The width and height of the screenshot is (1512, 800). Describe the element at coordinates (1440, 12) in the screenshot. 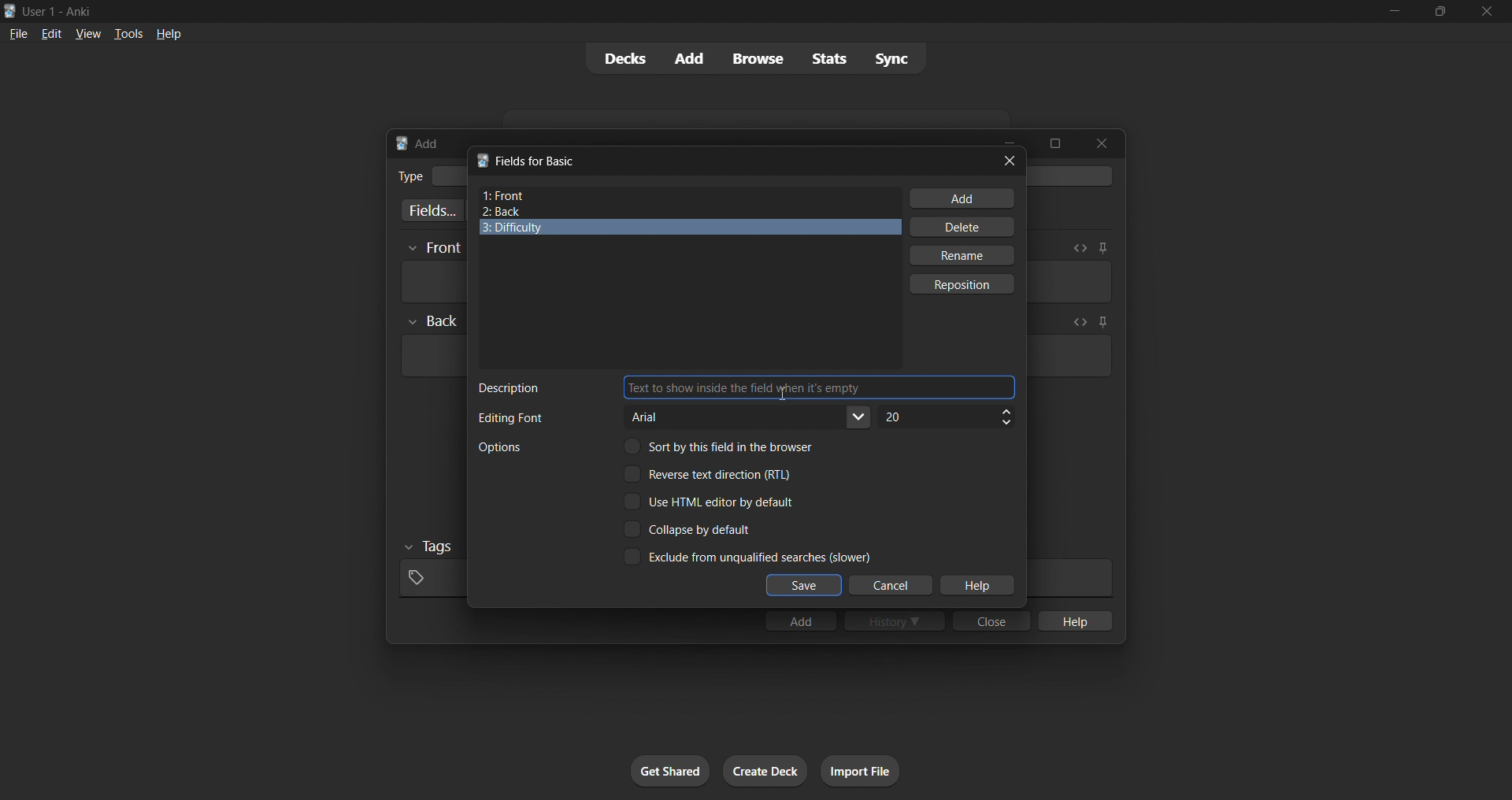

I see `maximize/restore` at that location.